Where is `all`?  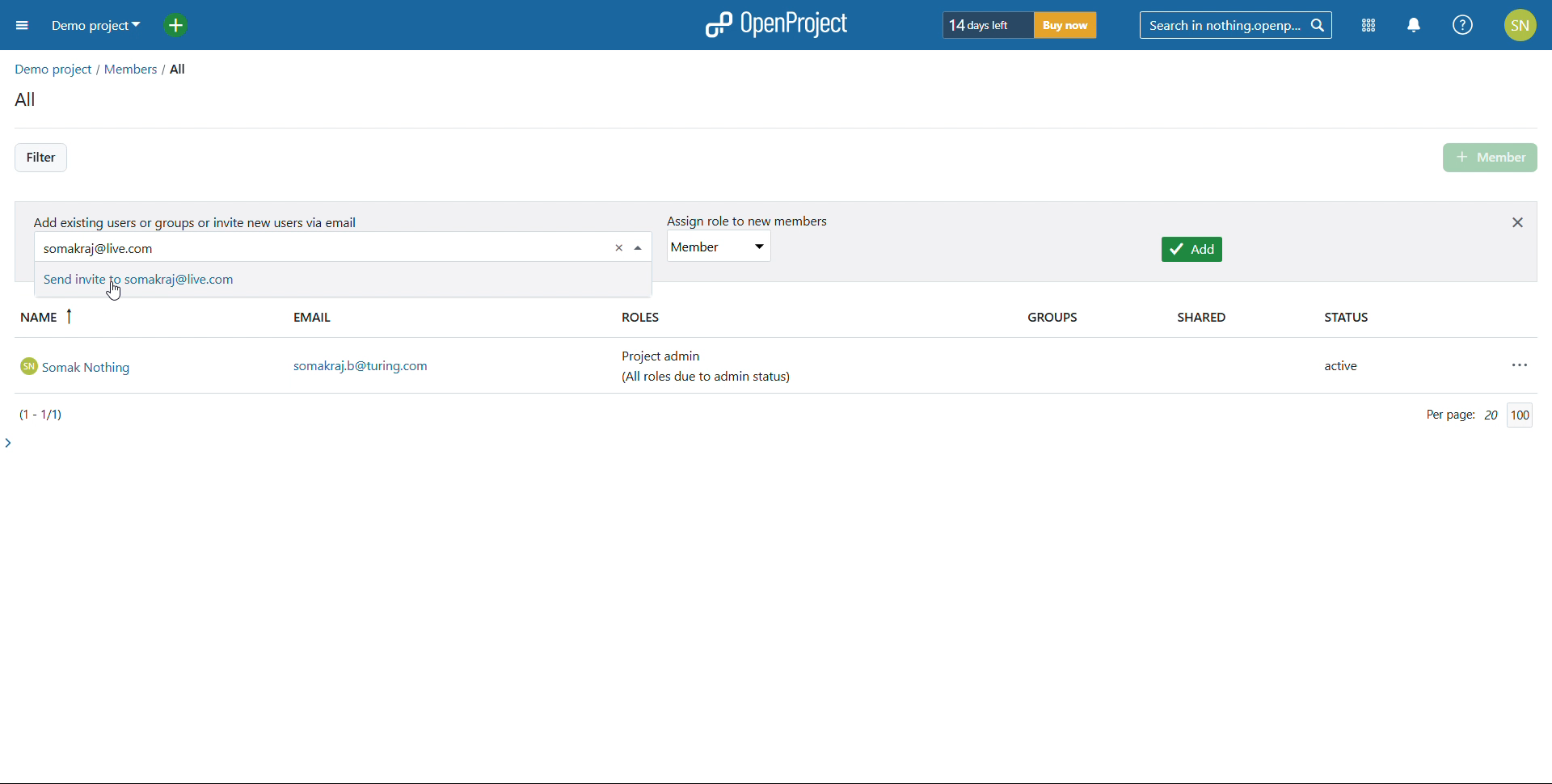 all is located at coordinates (29, 101).